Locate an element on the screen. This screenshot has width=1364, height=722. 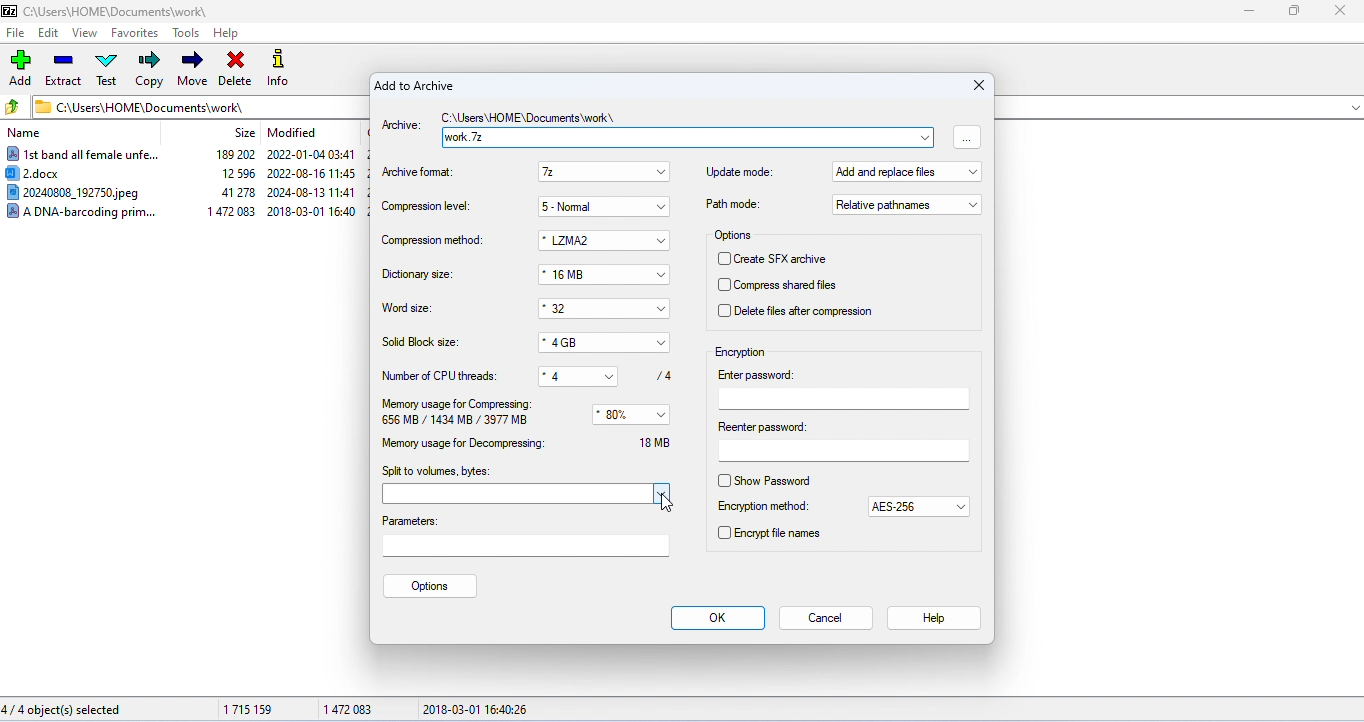
* 16 MB is located at coordinates (592, 276).